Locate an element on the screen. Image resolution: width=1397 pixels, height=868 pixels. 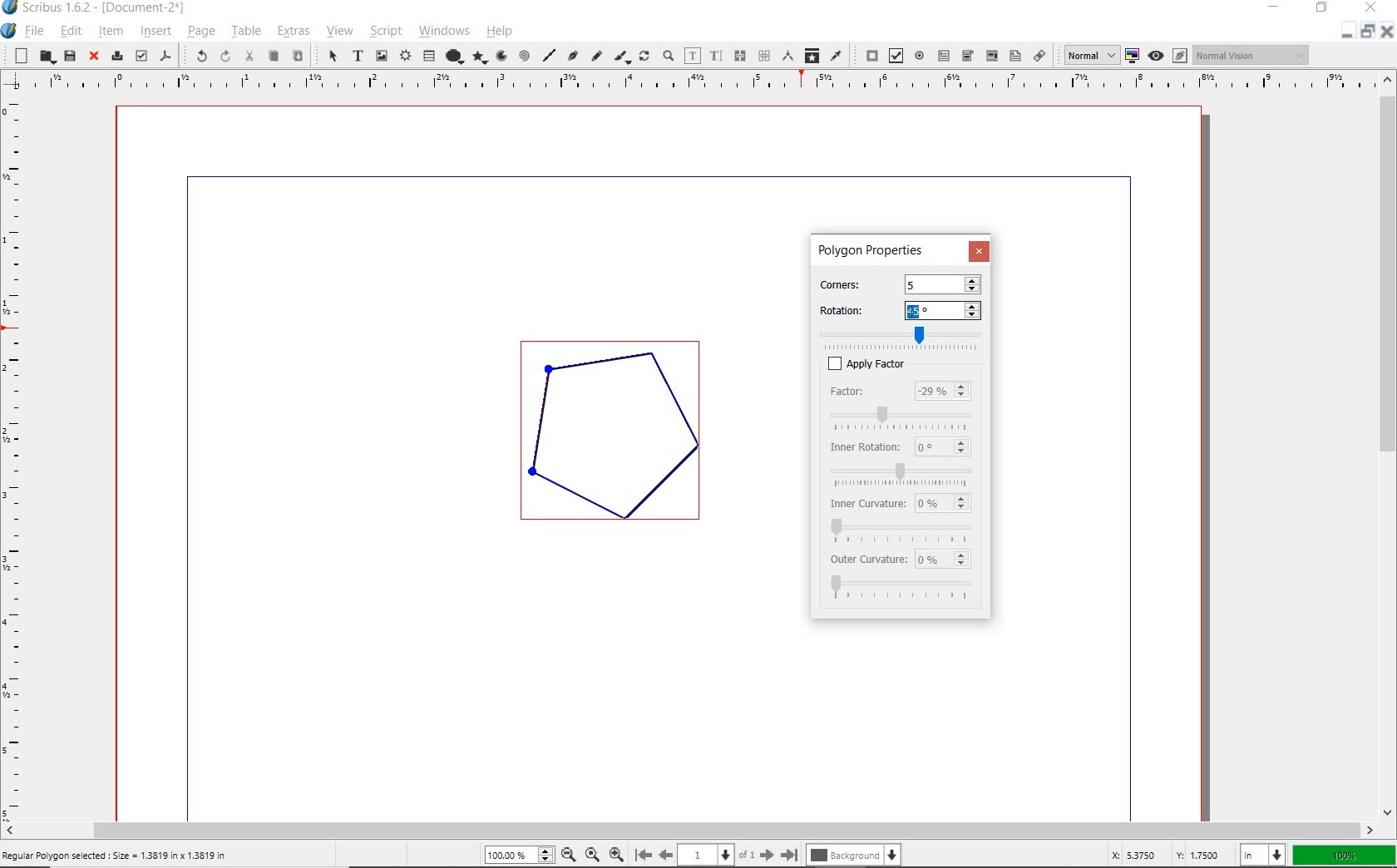
shape is located at coordinates (456, 54).